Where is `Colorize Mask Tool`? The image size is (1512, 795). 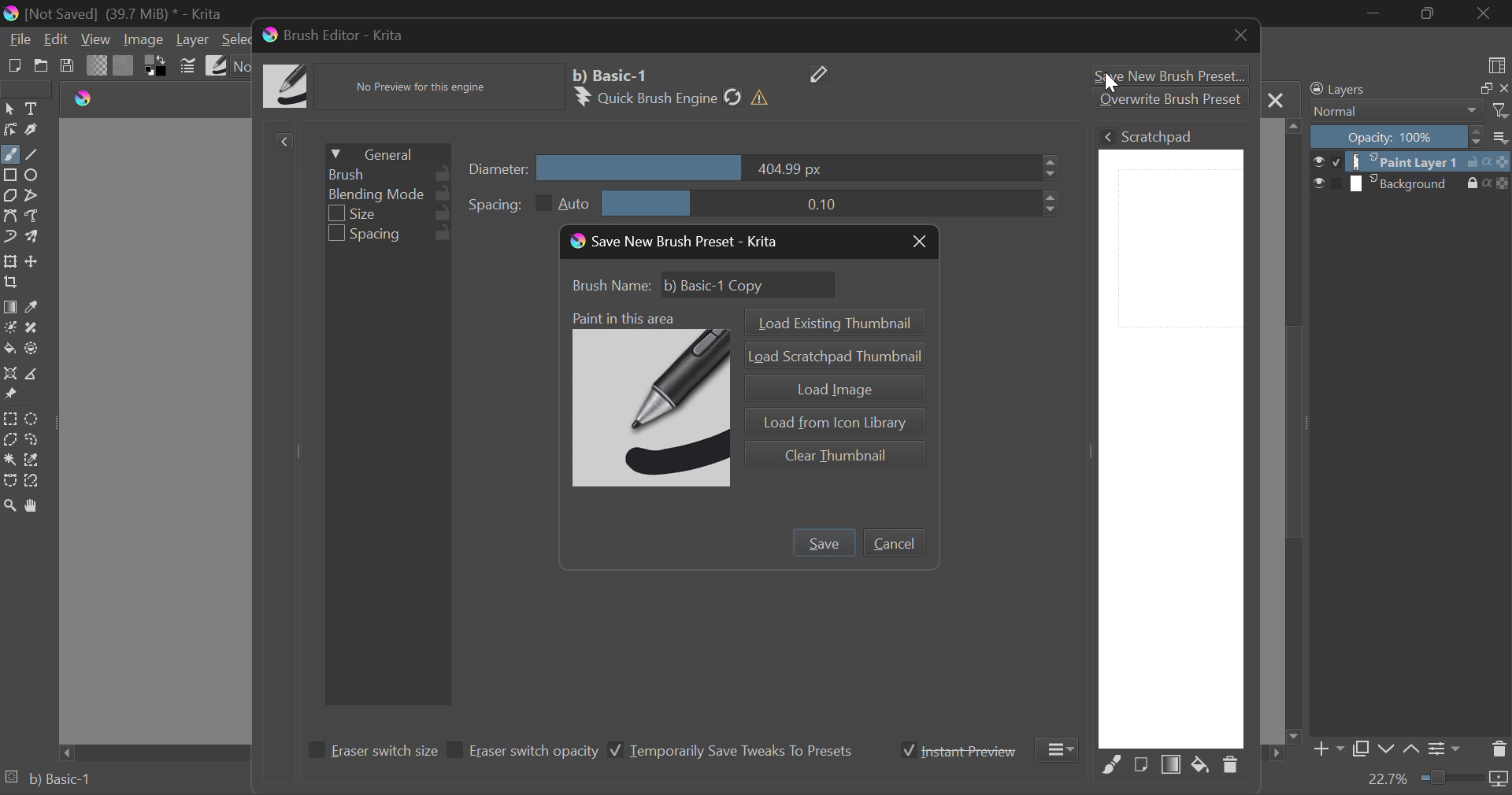
Colorize Mask Tool is located at coordinates (9, 327).